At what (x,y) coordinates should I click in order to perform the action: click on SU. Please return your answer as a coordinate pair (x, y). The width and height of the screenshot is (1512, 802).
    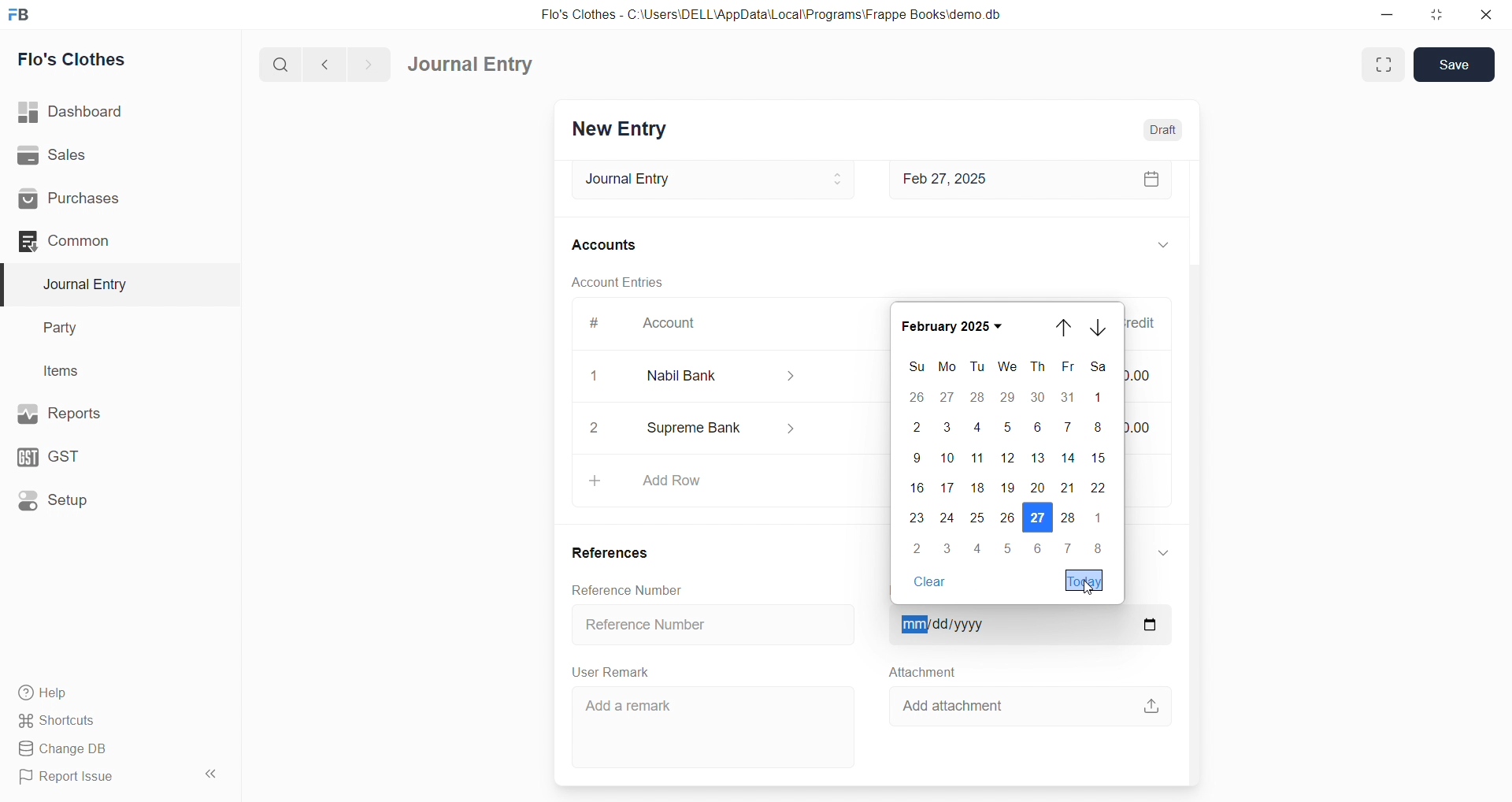
    Looking at the image, I should click on (913, 367).